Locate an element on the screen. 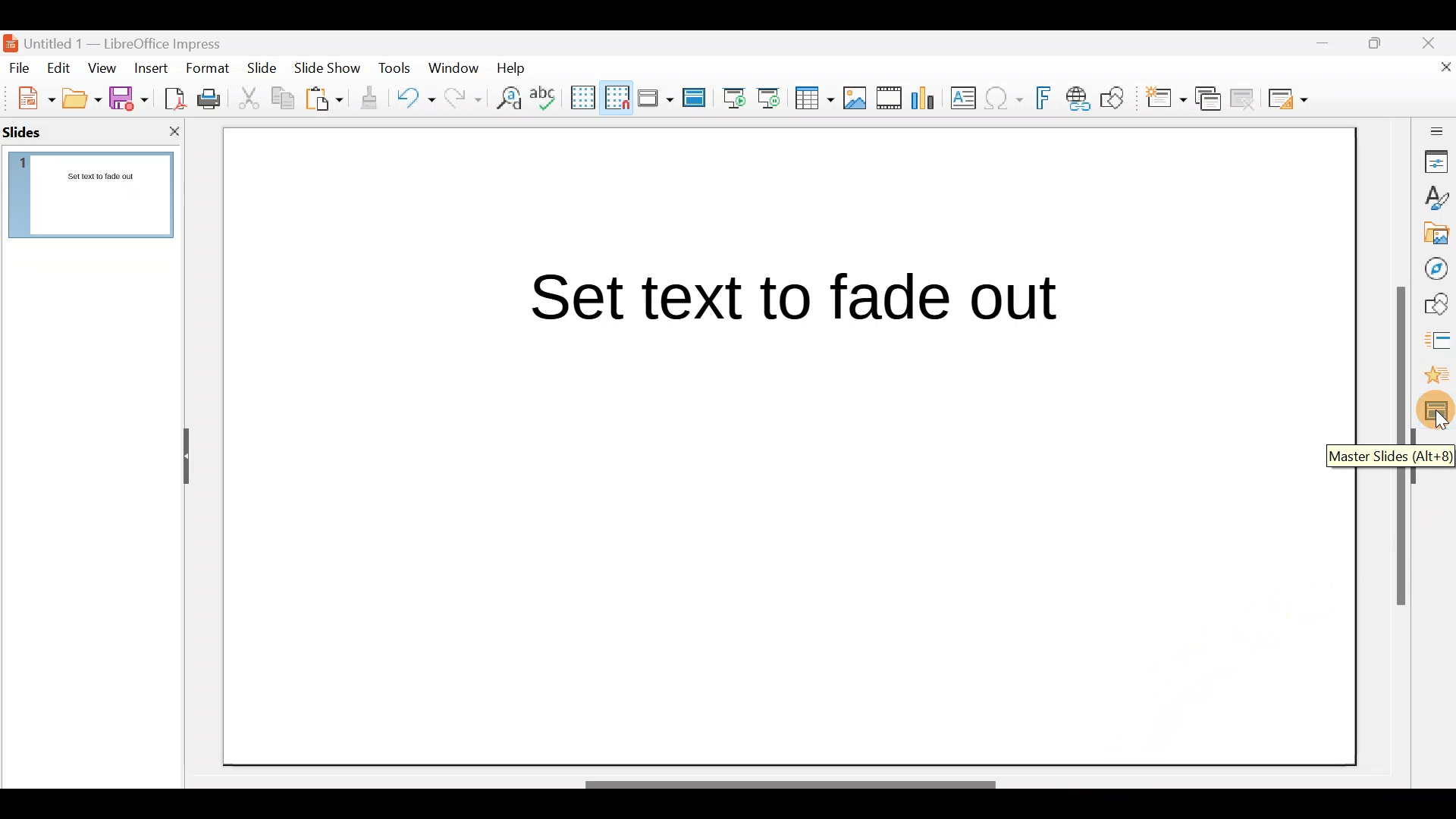 The height and width of the screenshot is (819, 1456). slides is located at coordinates (32, 132).